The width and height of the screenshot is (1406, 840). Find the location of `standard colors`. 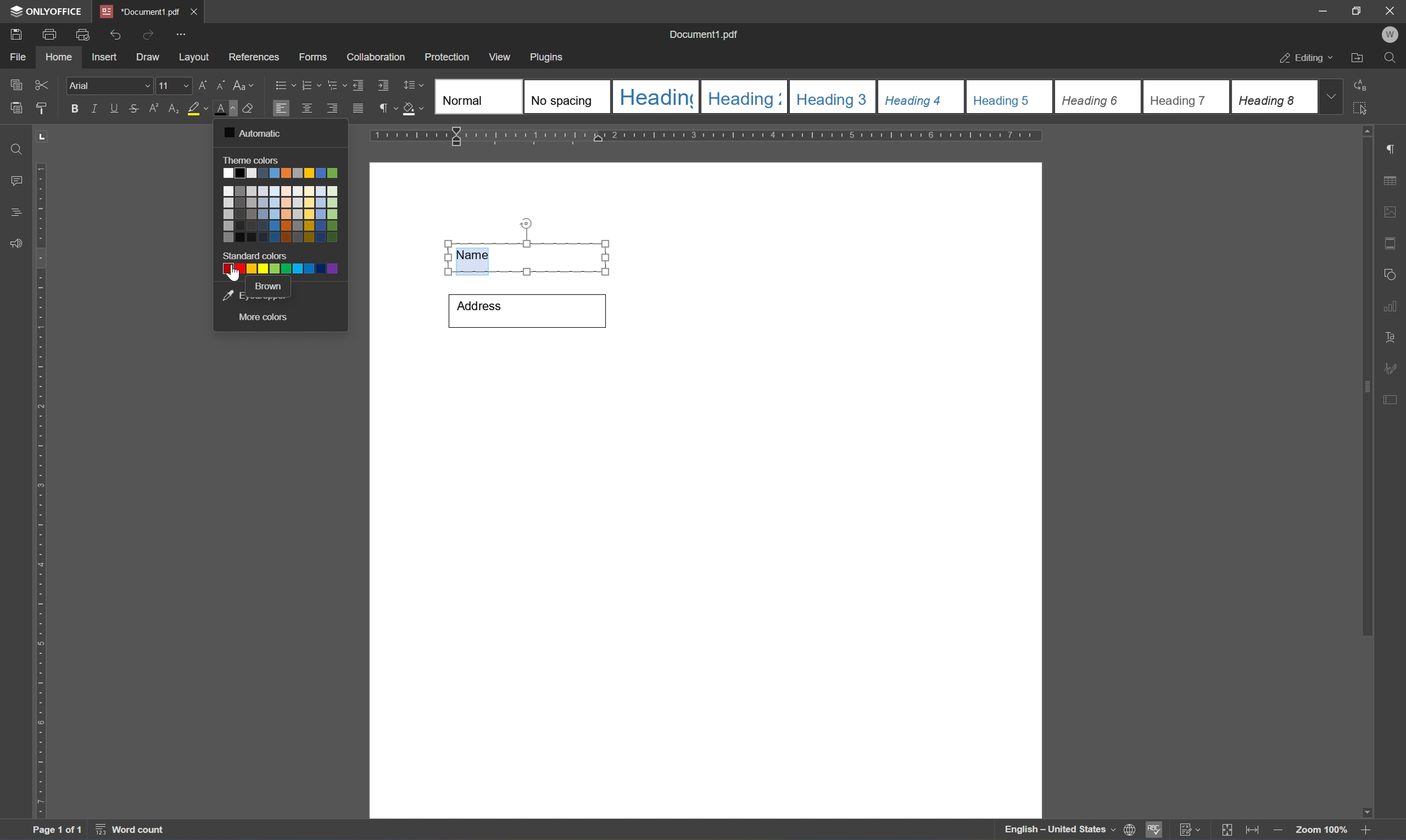

standard colors is located at coordinates (256, 256).